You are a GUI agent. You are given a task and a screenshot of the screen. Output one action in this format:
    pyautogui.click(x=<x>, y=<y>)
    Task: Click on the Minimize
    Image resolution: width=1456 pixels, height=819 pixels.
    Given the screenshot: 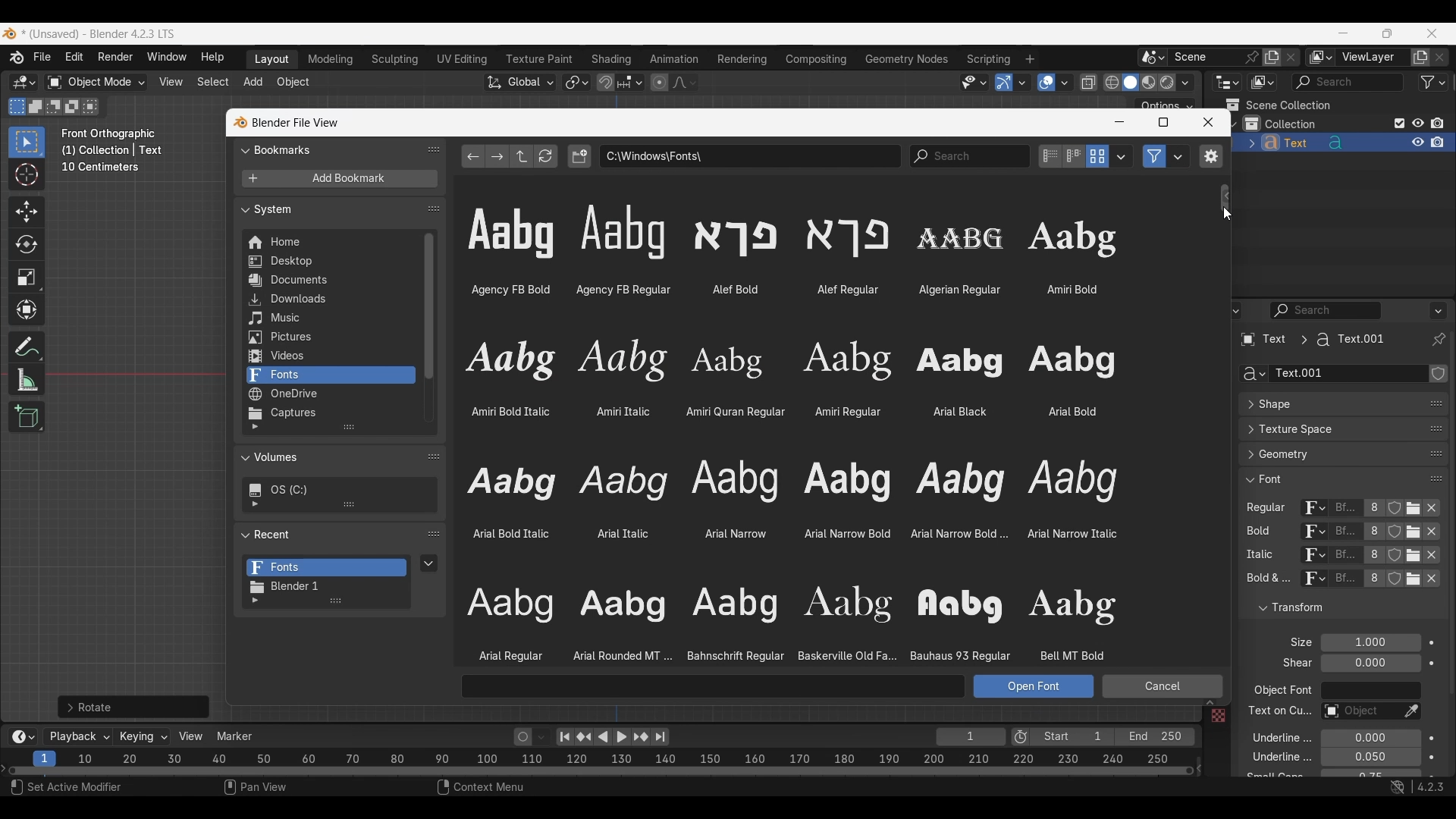 What is the action you would take?
    pyautogui.click(x=1344, y=33)
    